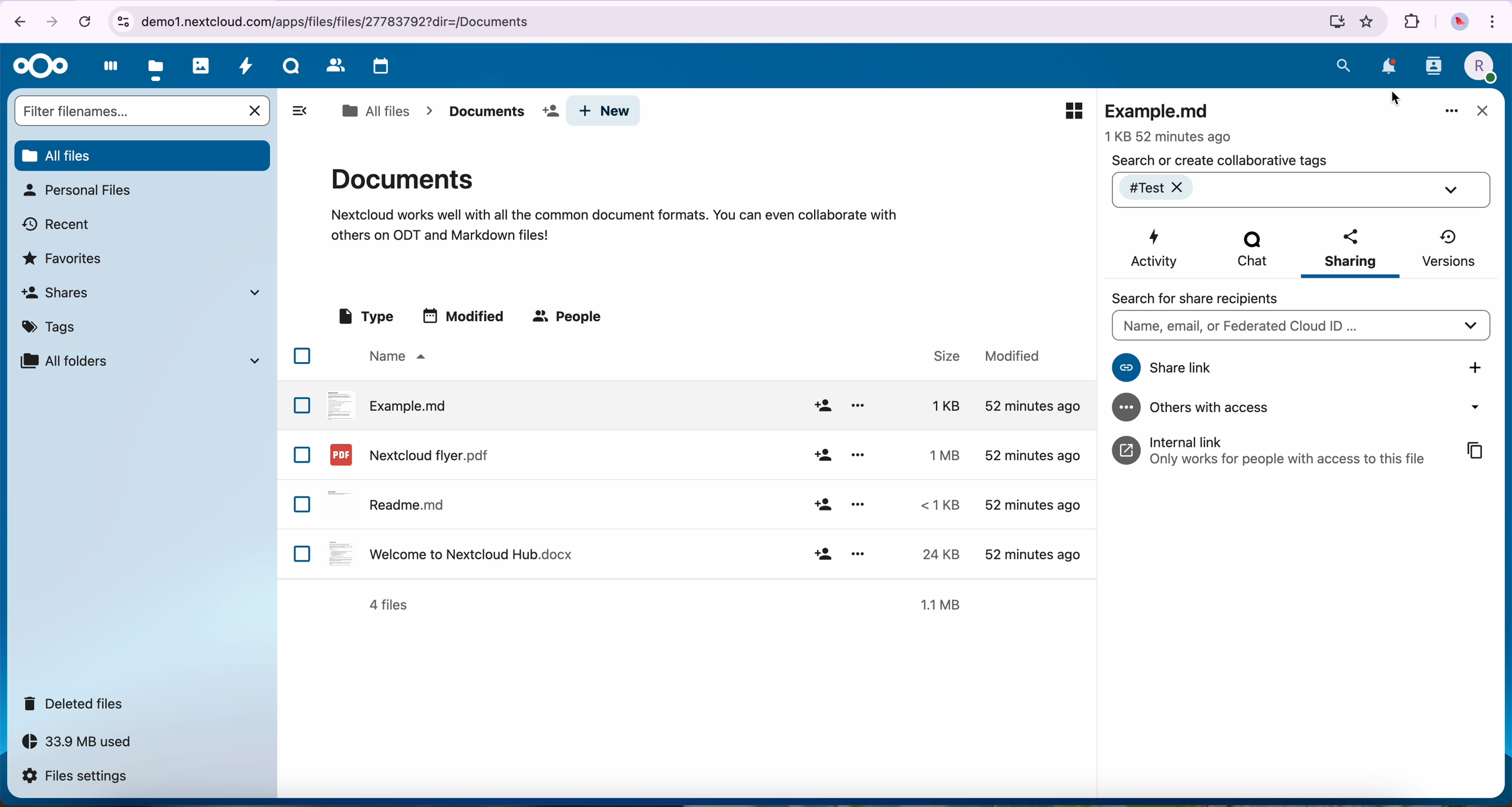  Describe the element at coordinates (1477, 367) in the screenshot. I see `add link` at that location.